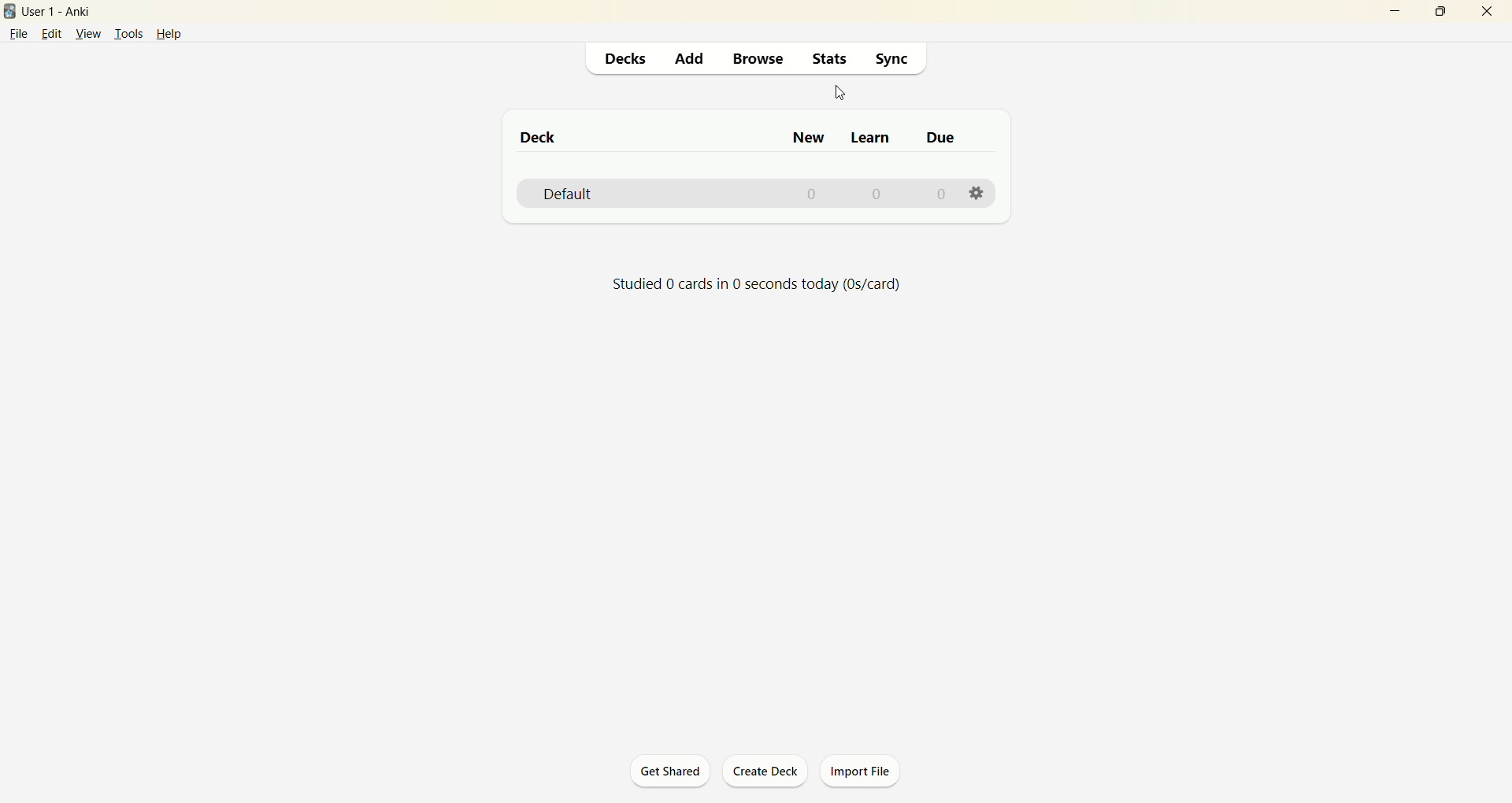 This screenshot has width=1512, height=803. Describe the element at coordinates (810, 137) in the screenshot. I see `new` at that location.